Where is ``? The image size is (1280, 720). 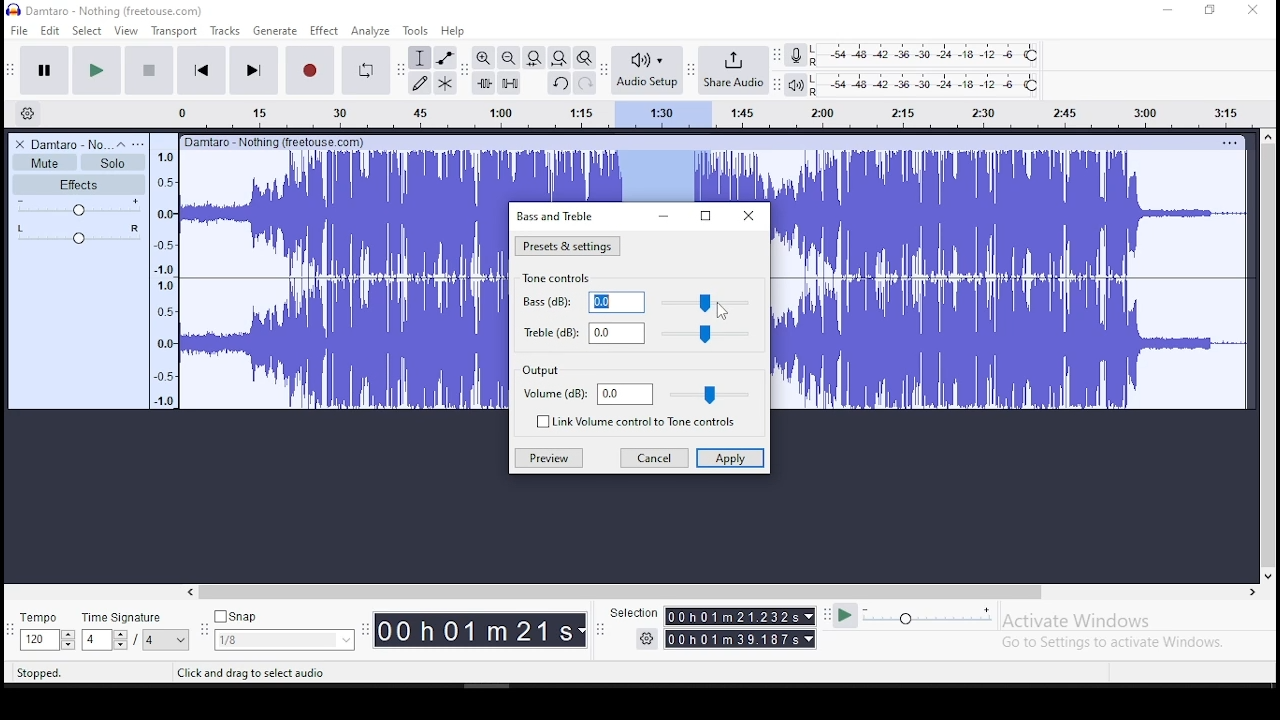  is located at coordinates (203, 629).